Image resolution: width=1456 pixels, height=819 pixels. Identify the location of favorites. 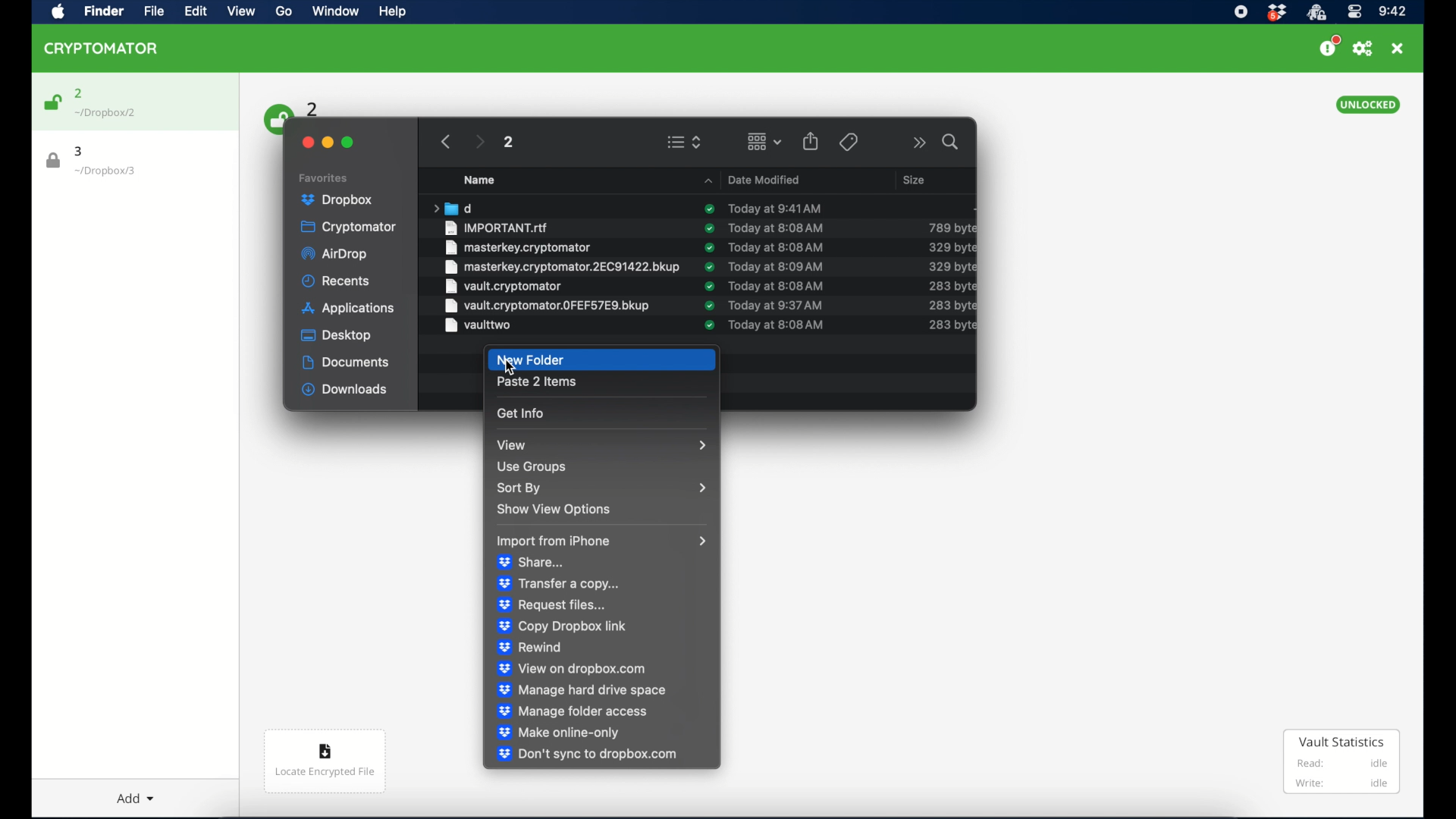
(324, 178).